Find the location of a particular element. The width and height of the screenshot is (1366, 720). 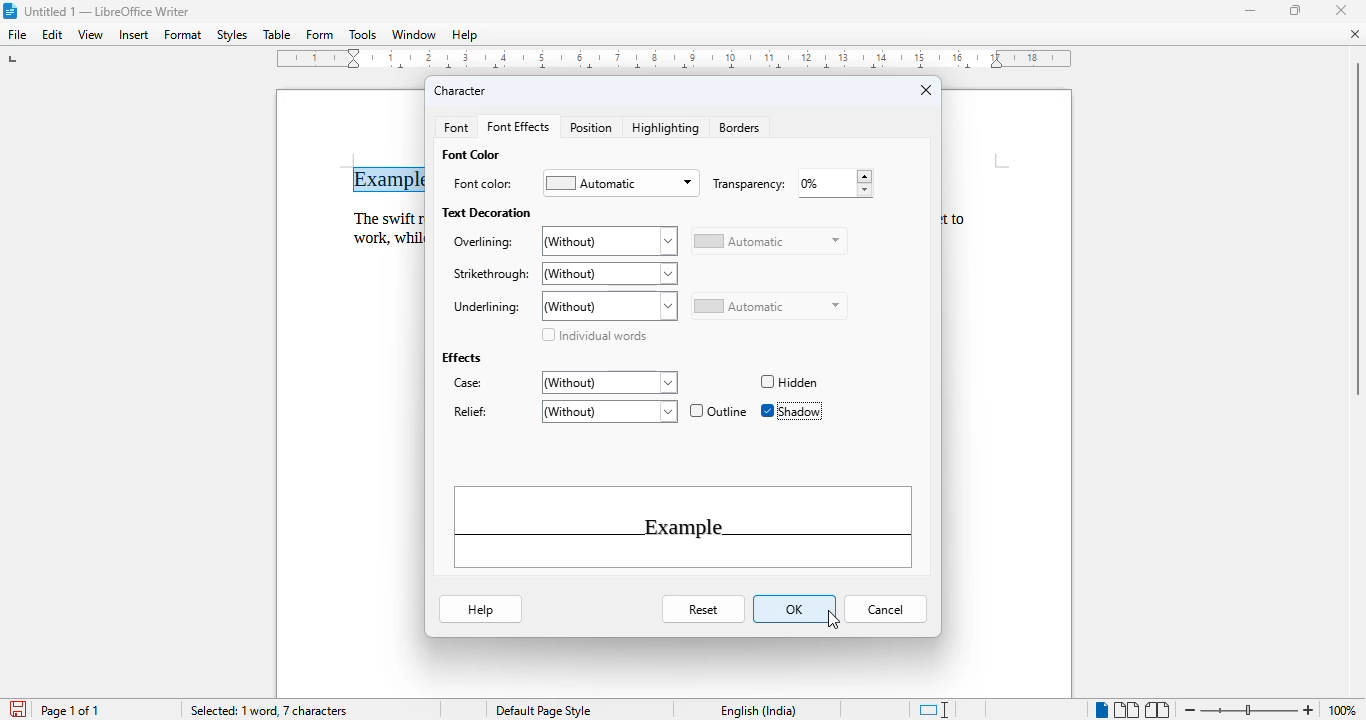

Example: (right click on selected text) is located at coordinates (396, 176).